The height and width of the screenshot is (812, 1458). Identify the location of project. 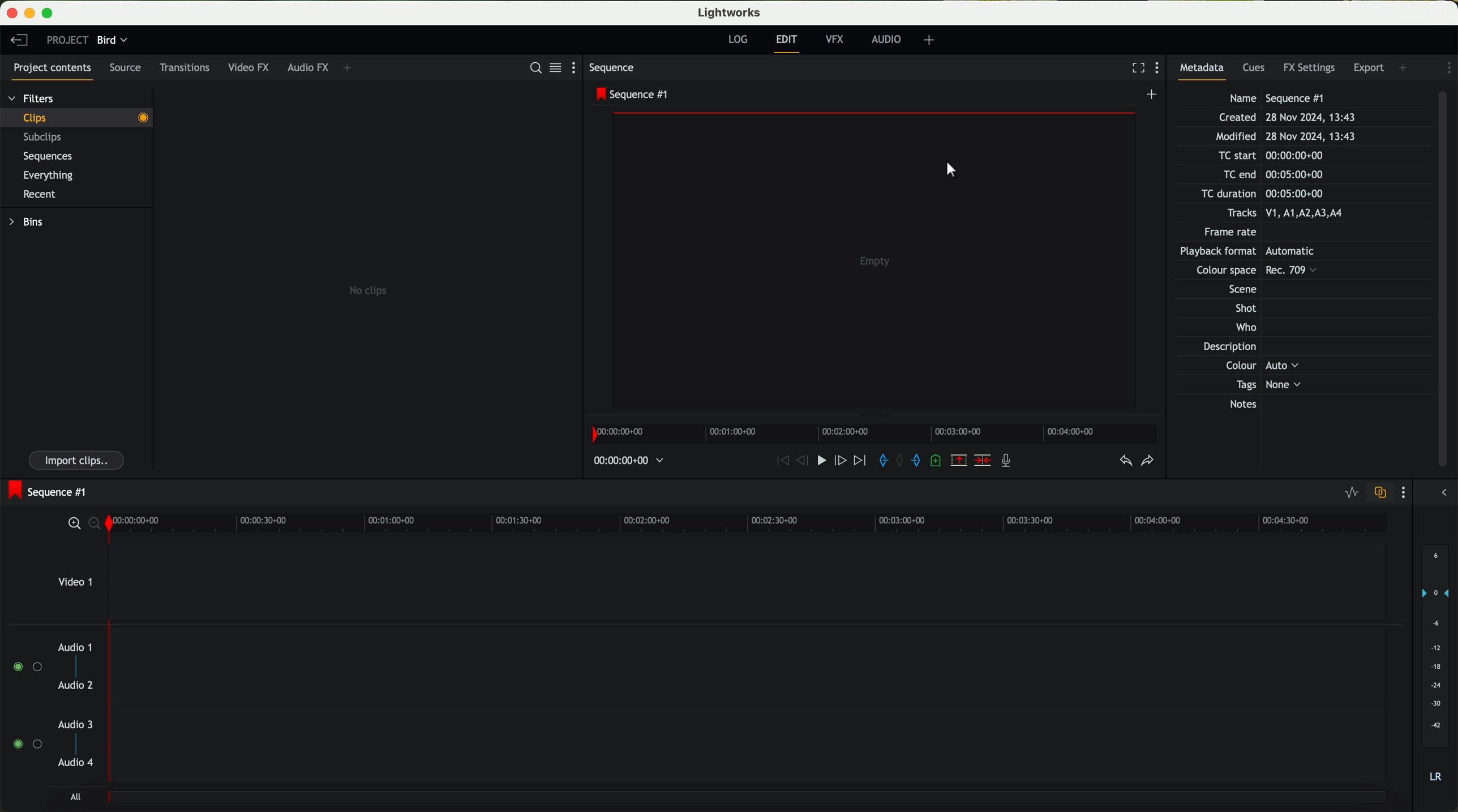
(66, 38).